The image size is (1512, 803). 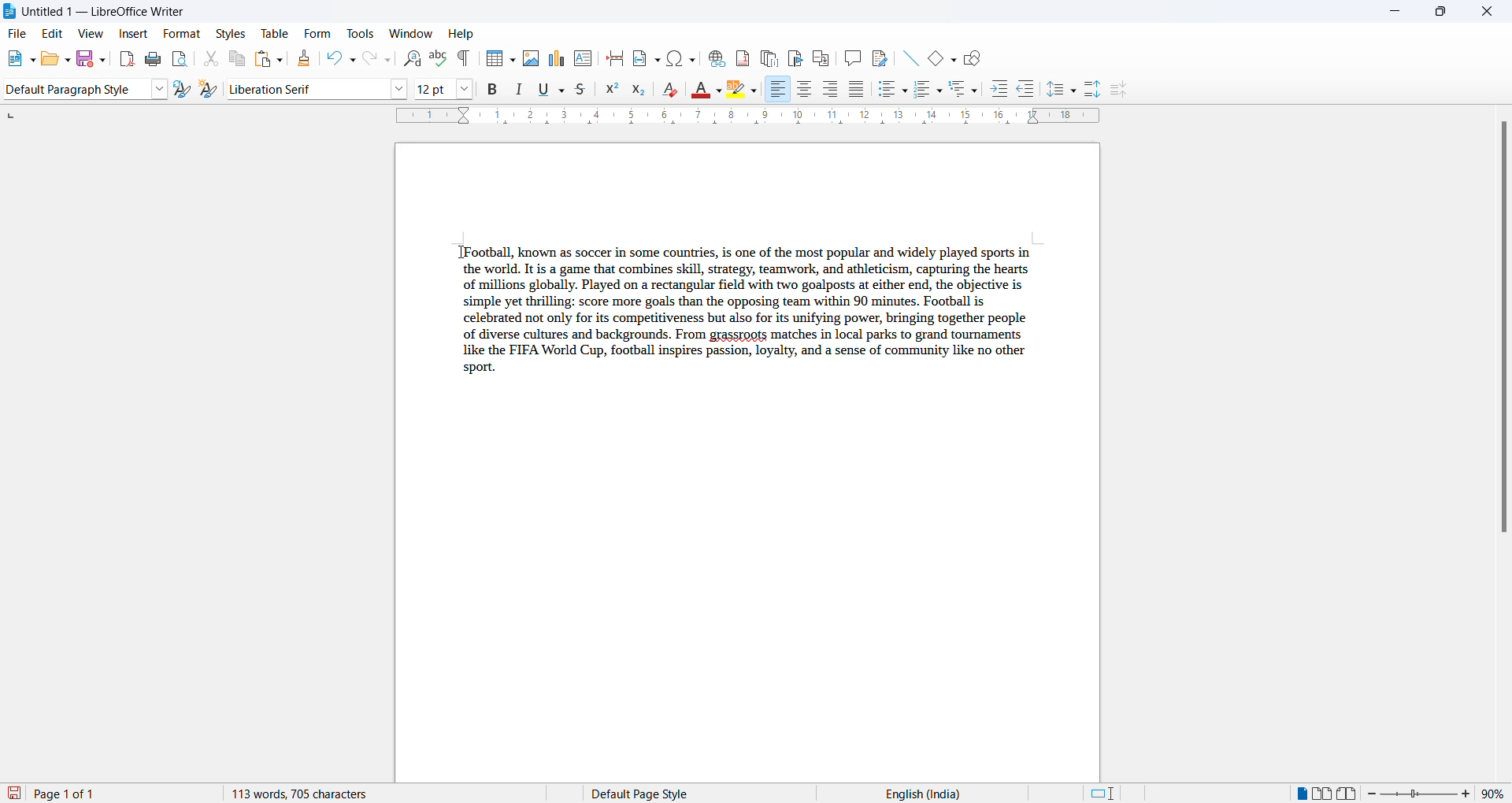 What do you see at coordinates (639, 90) in the screenshot?
I see `subscript` at bounding box center [639, 90].